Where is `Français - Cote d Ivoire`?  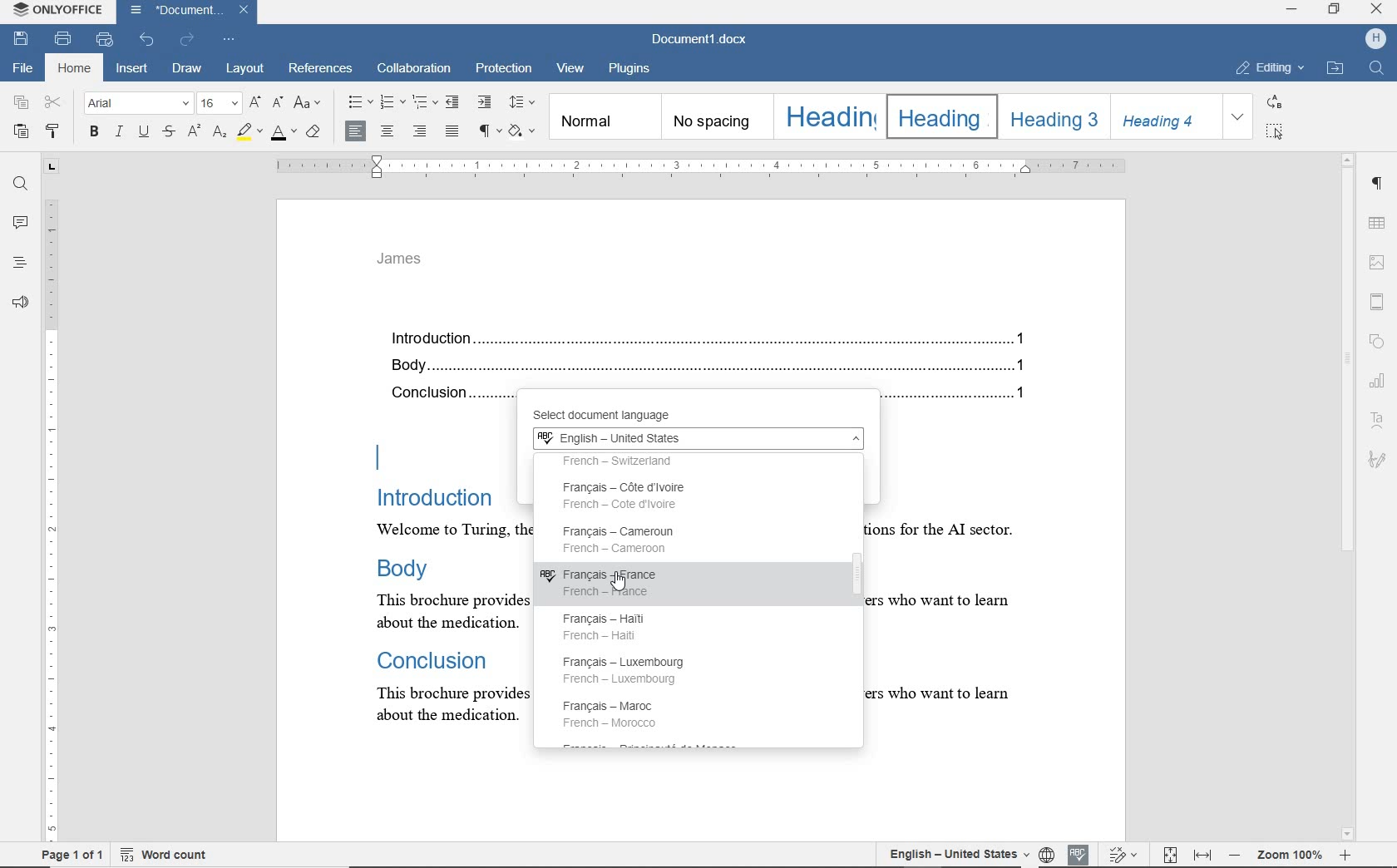
Français - Cote d Ivoire is located at coordinates (639, 496).